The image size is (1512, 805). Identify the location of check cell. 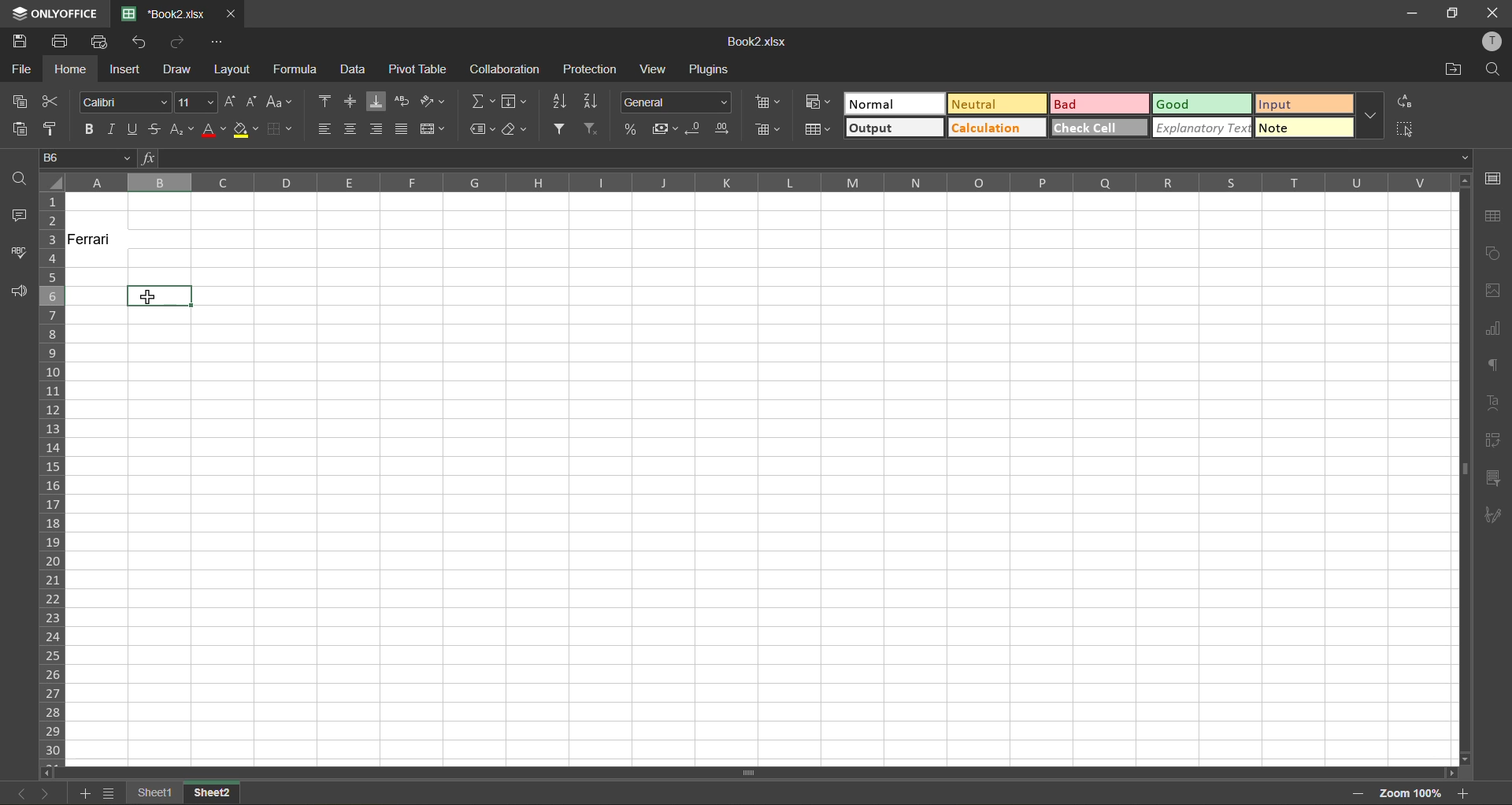
(1100, 127).